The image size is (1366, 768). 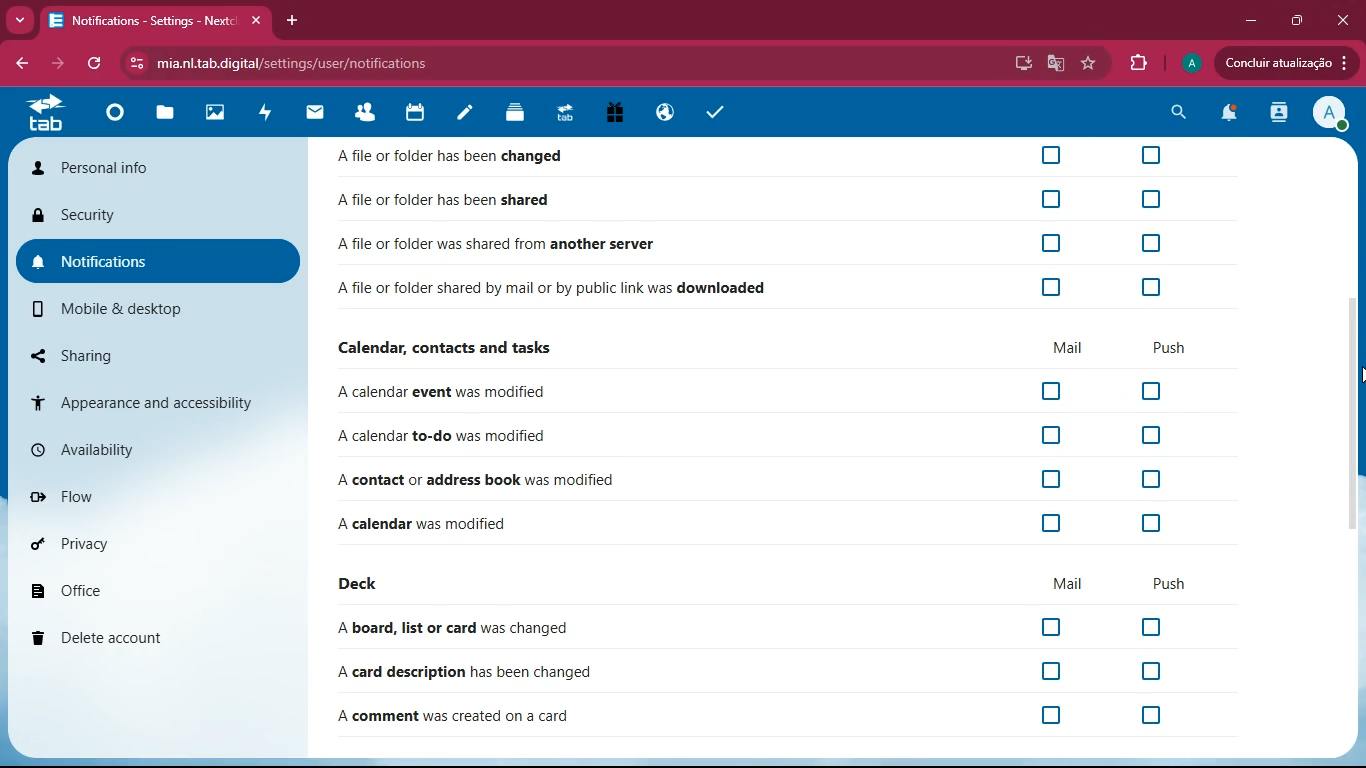 What do you see at coordinates (1152, 287) in the screenshot?
I see `off` at bounding box center [1152, 287].